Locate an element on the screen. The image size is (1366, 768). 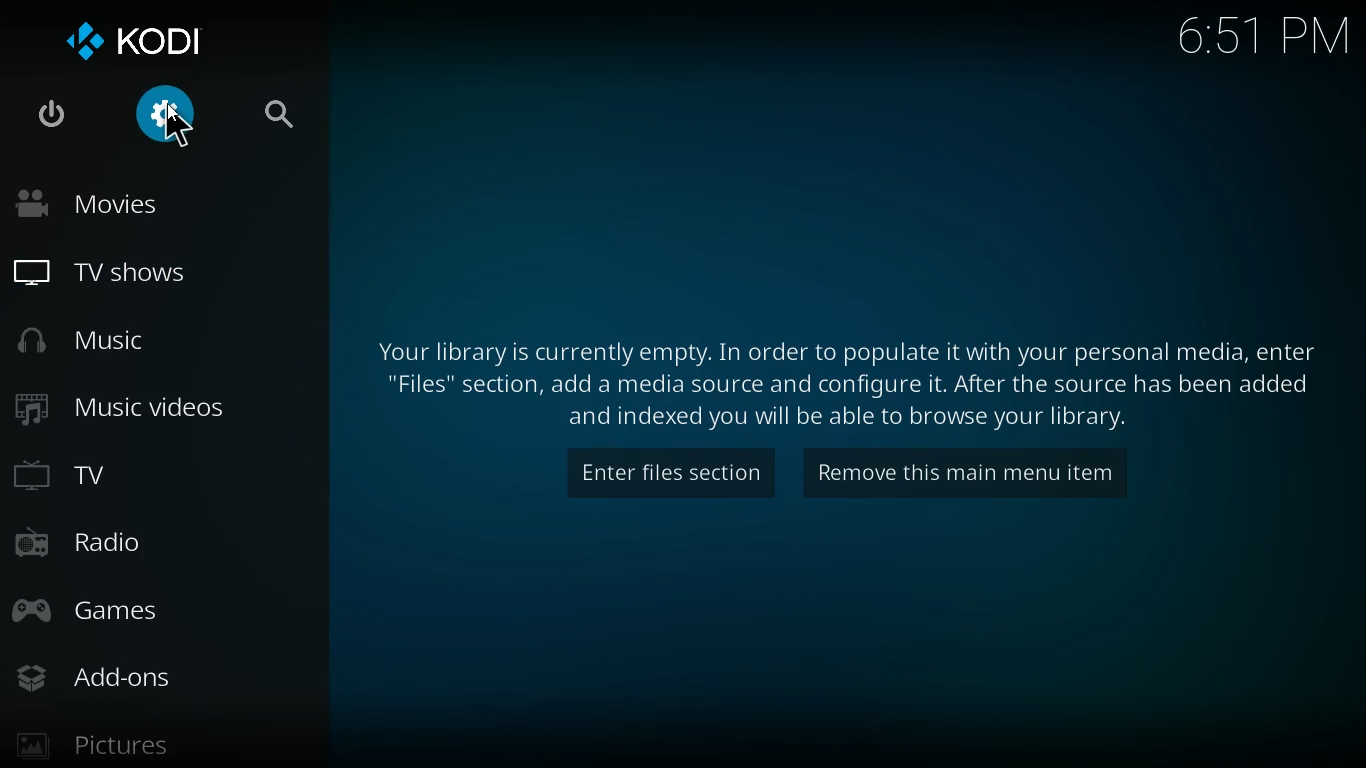
add-ons is located at coordinates (115, 678).